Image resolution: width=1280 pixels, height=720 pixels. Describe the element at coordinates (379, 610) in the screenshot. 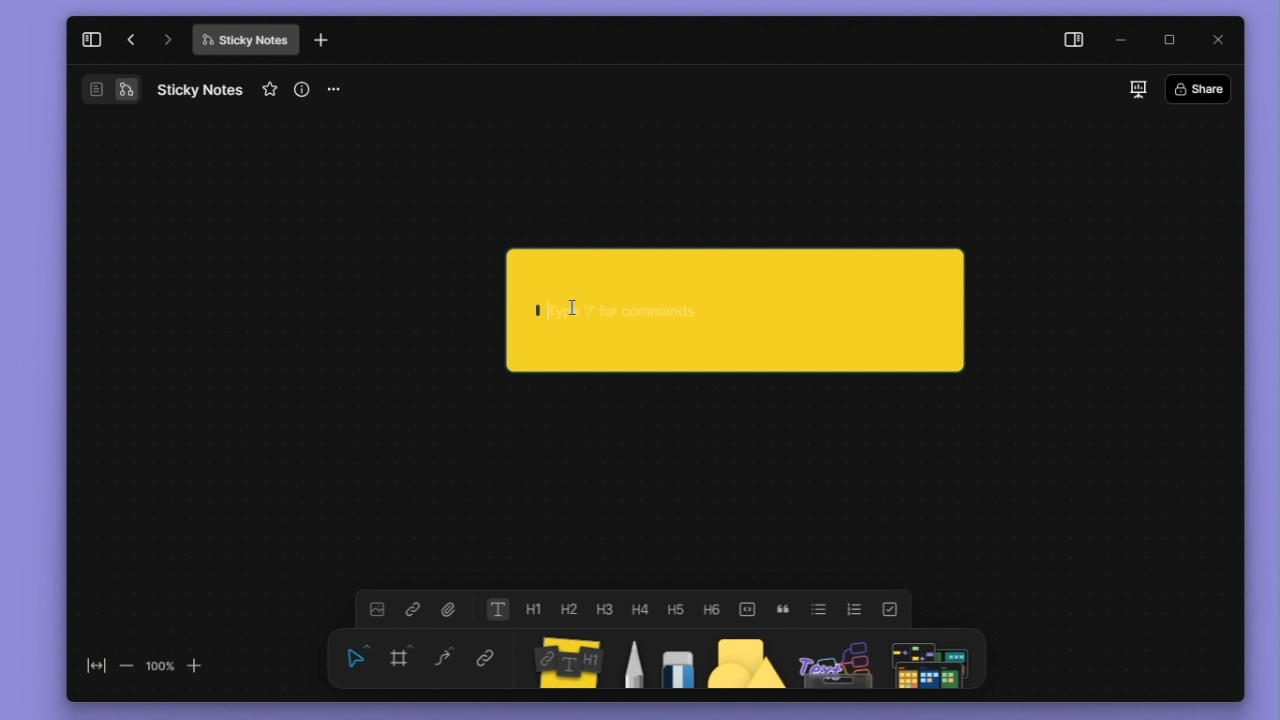

I see `image` at that location.